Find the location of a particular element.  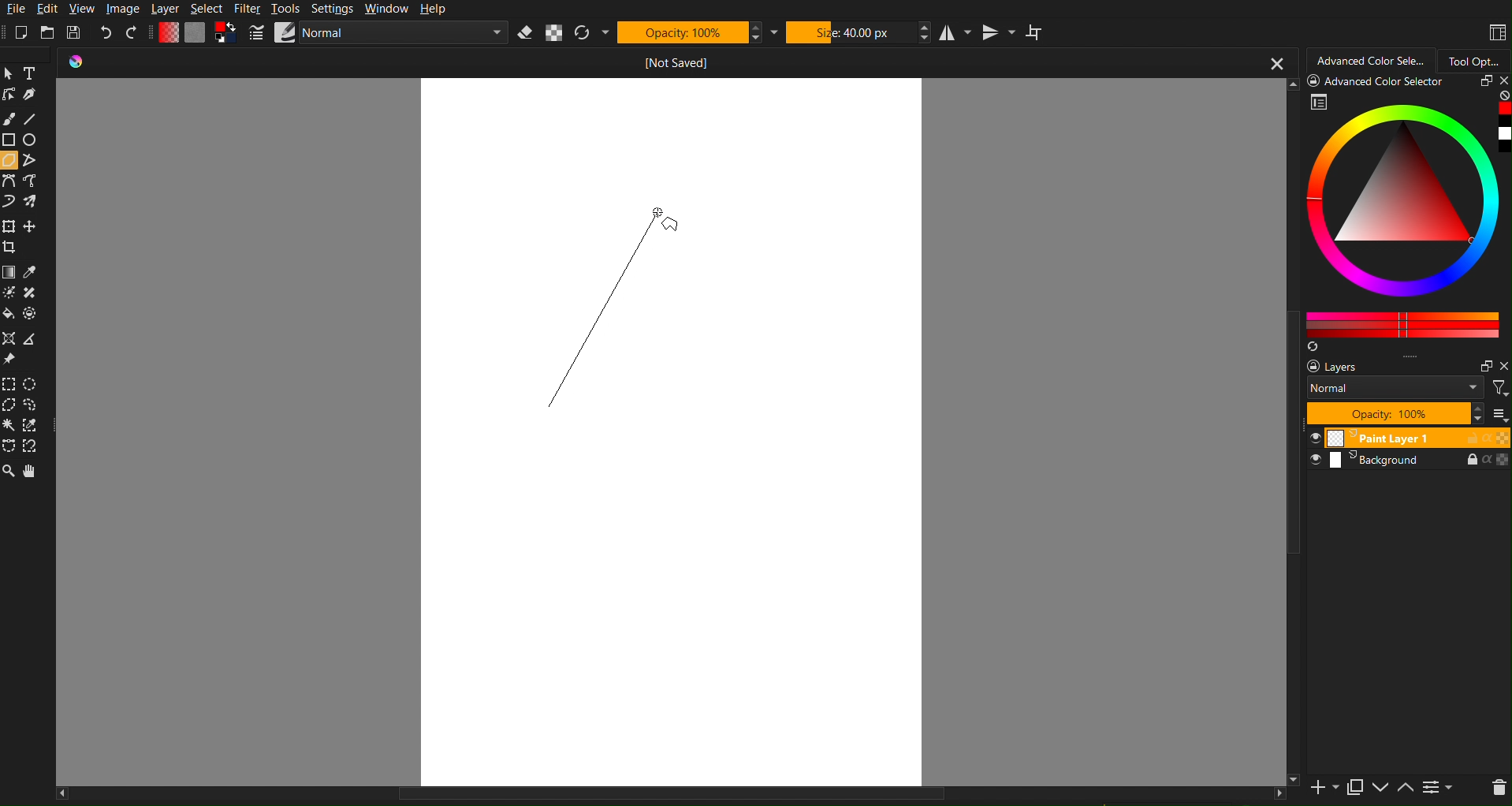

rectangular Selection Tools is located at coordinates (10, 382).